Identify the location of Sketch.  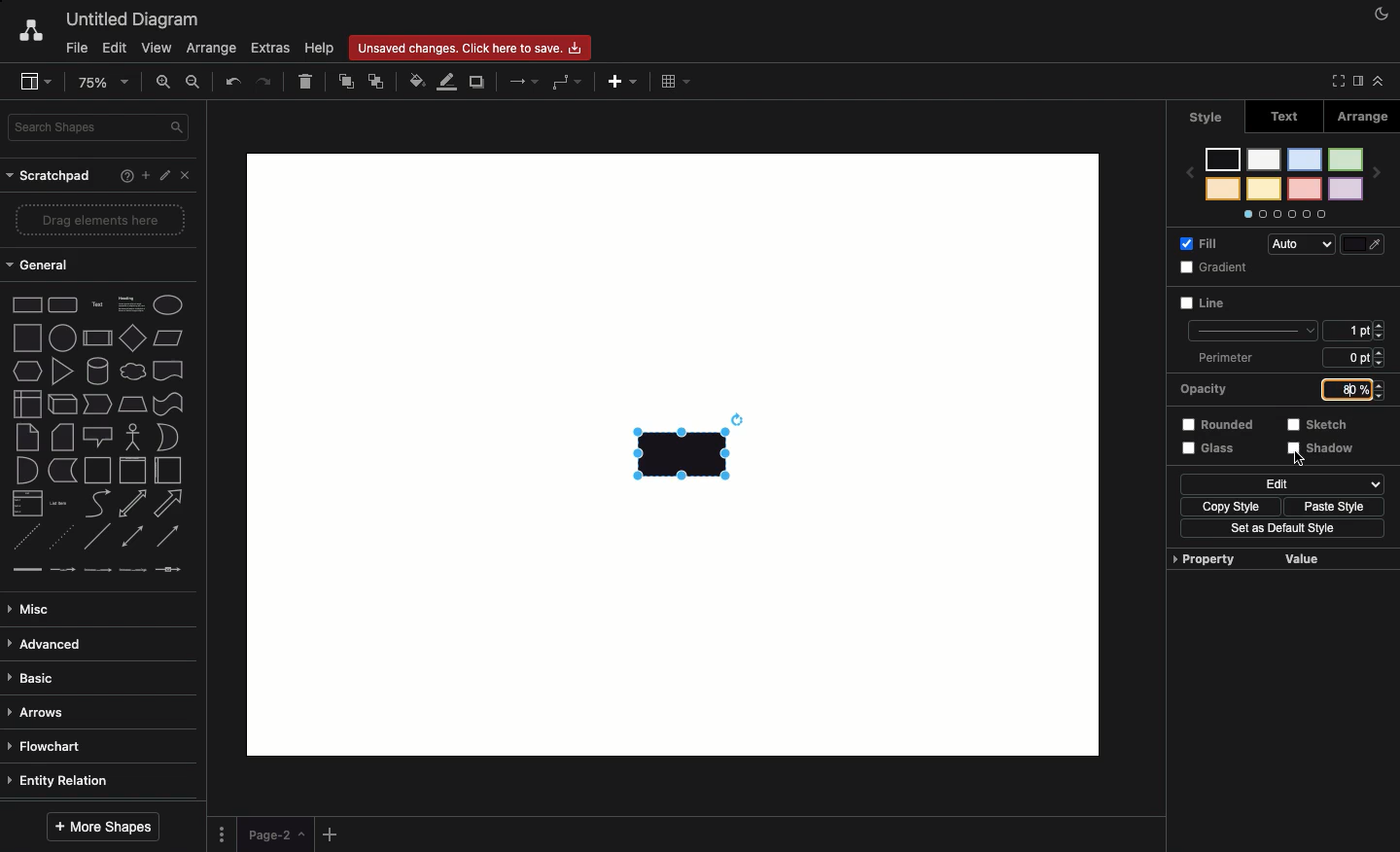
(1319, 424).